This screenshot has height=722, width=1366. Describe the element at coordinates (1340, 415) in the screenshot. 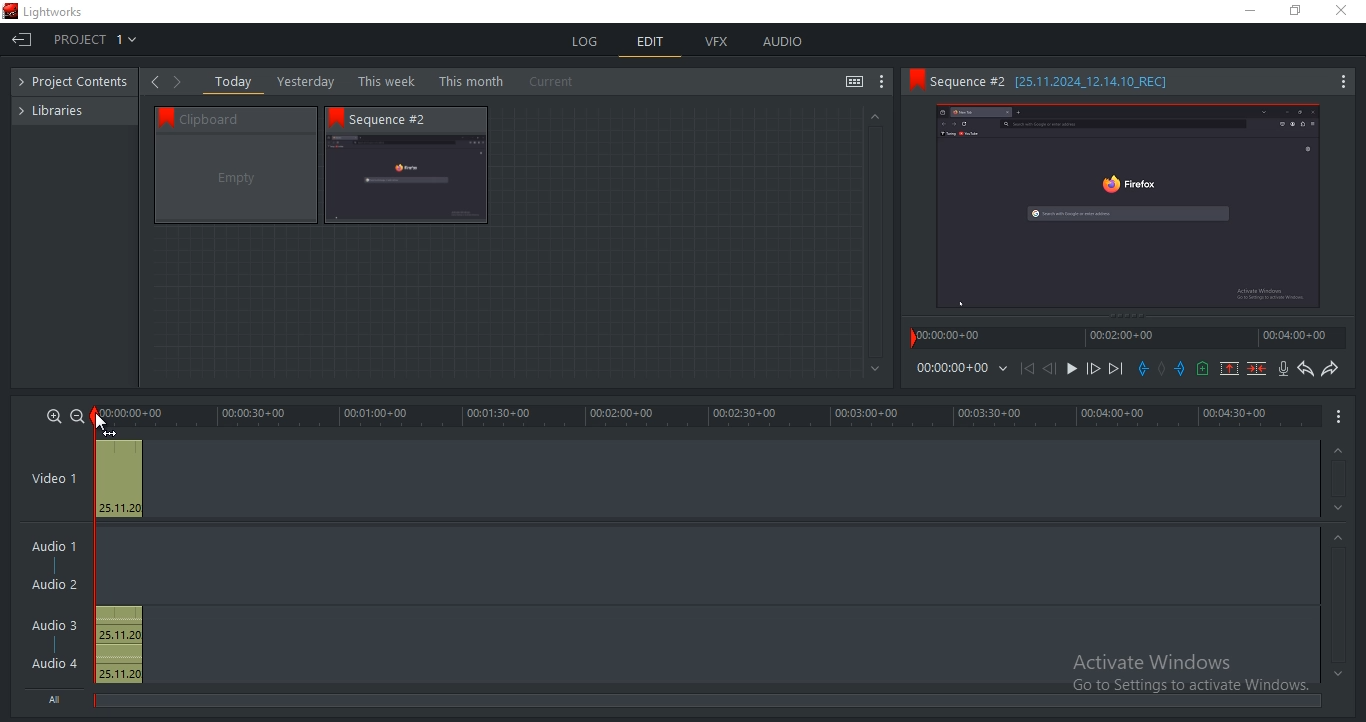

I see `show menu` at that location.